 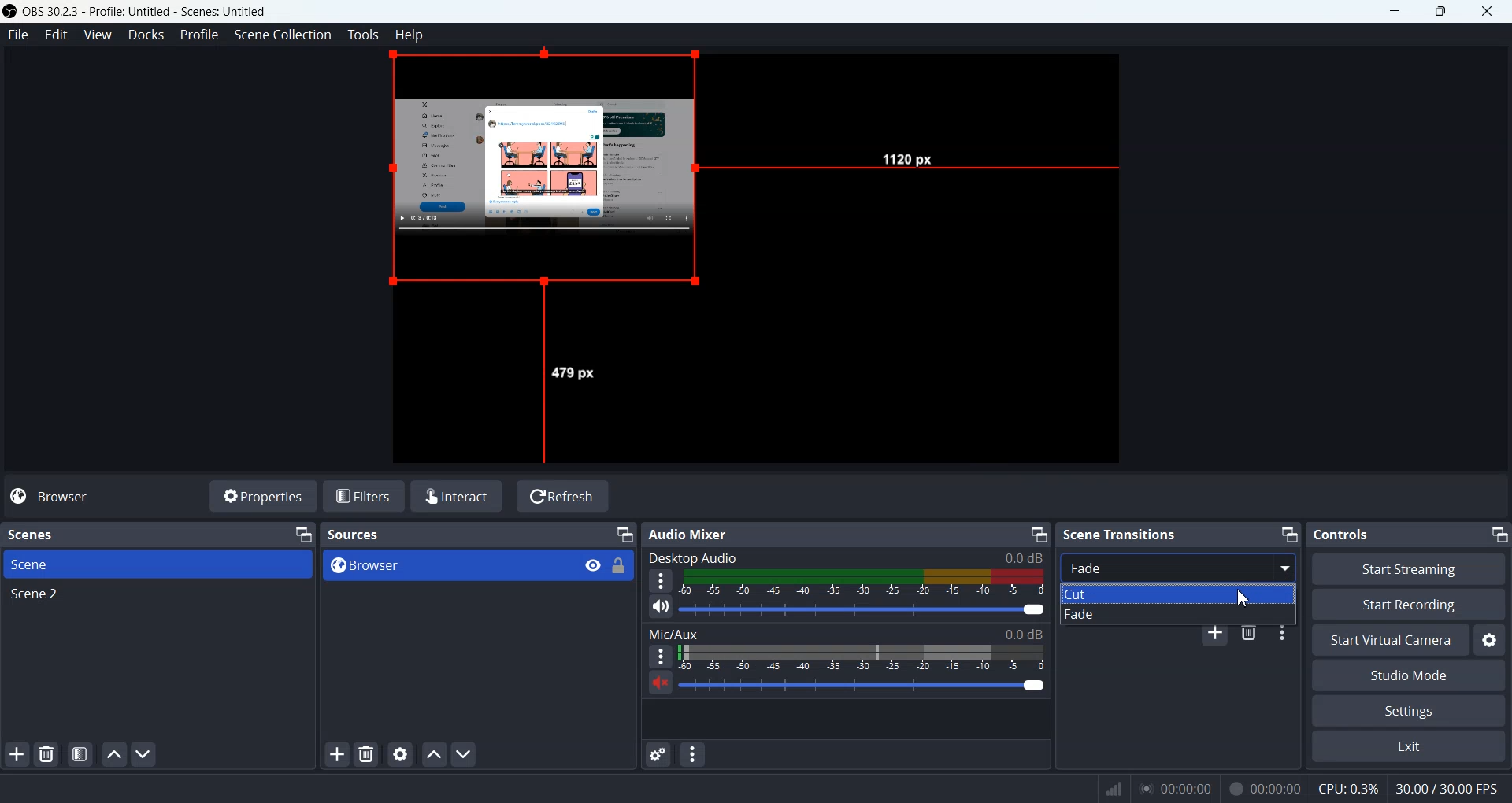 I want to click on Studio Mode, so click(x=1409, y=675).